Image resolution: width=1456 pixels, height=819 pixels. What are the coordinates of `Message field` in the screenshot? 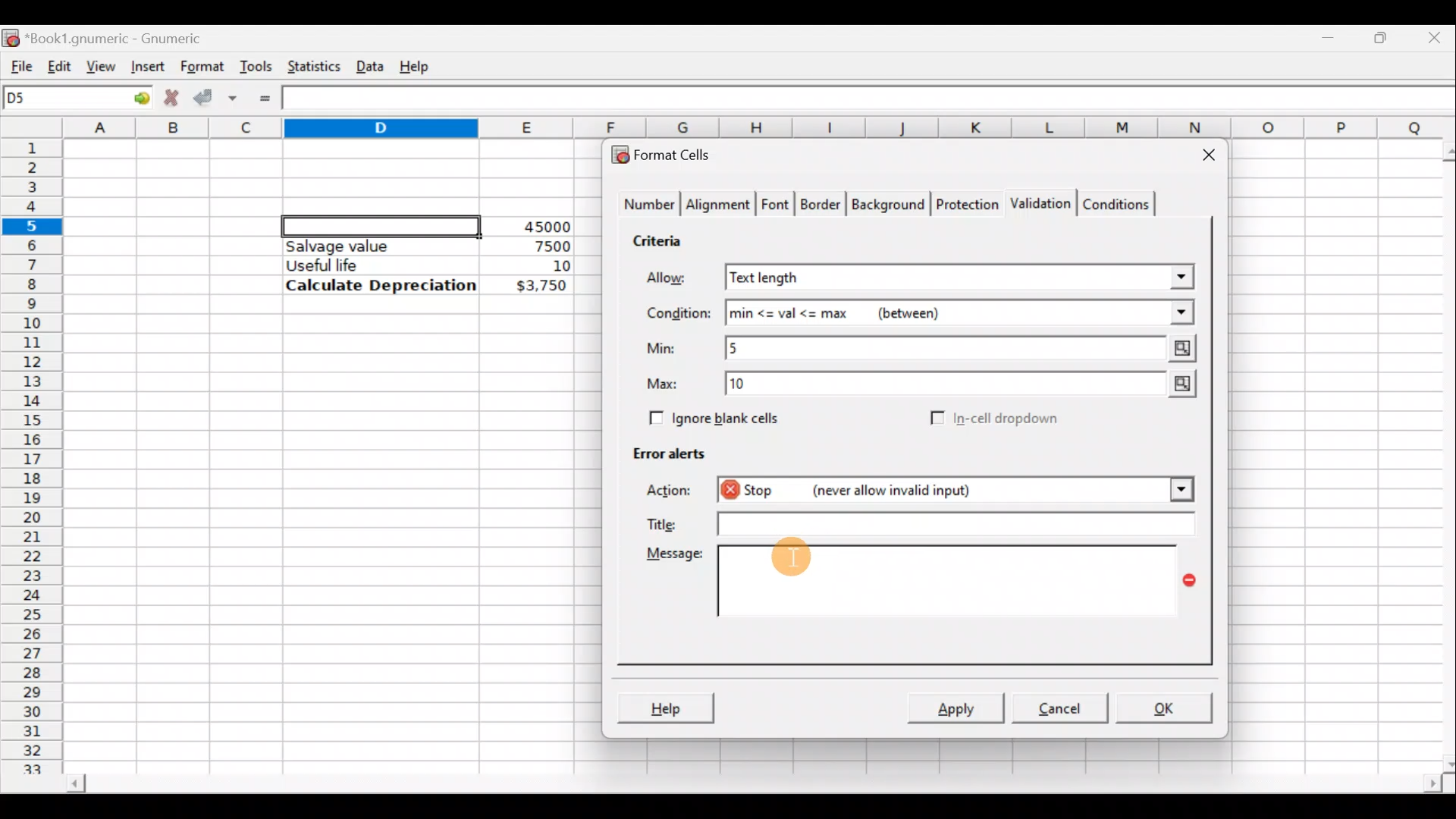 It's located at (948, 583).